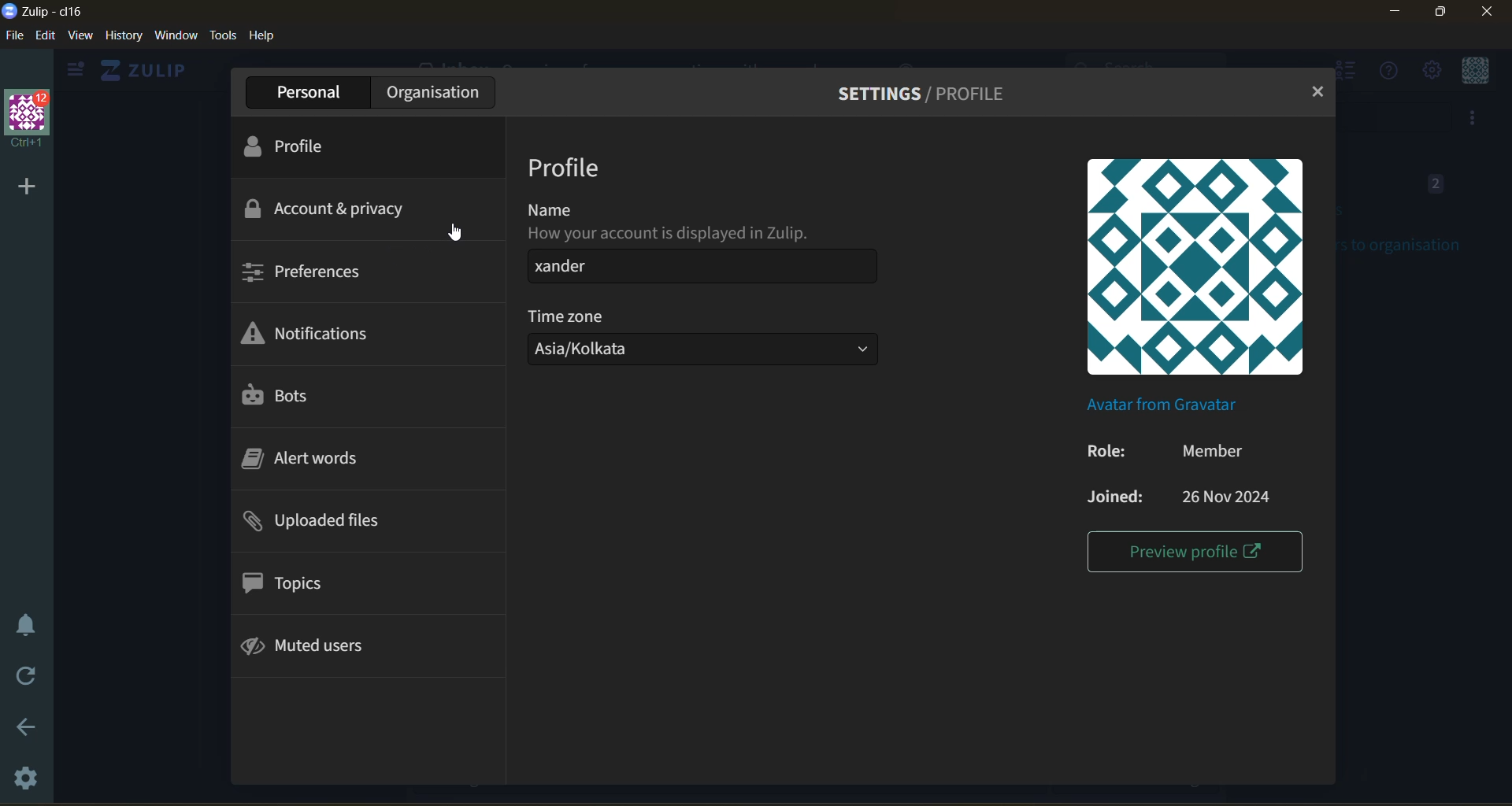 The width and height of the screenshot is (1512, 806). Describe the element at coordinates (328, 208) in the screenshot. I see `account and privacy` at that location.